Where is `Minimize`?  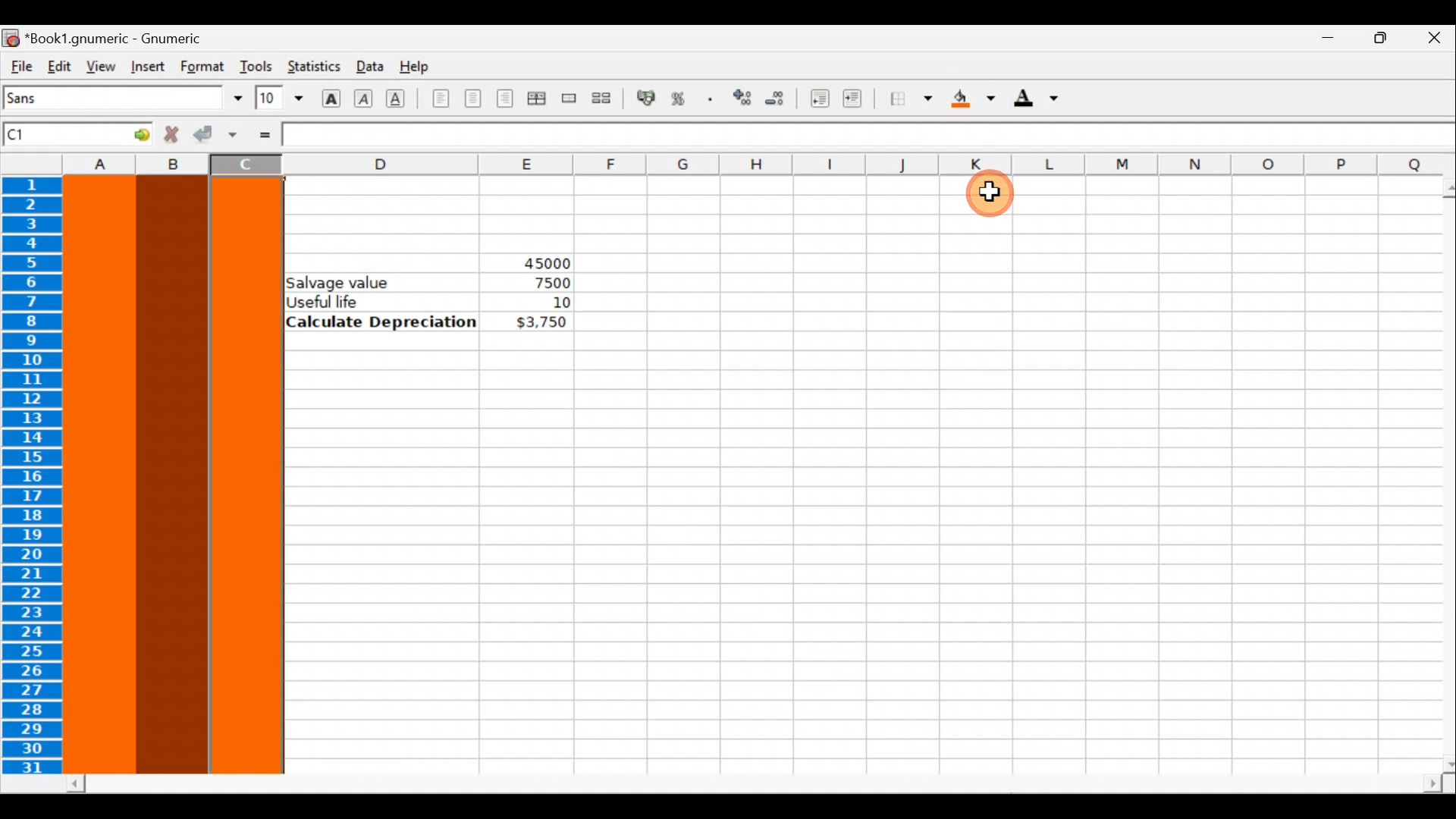
Minimize is located at coordinates (1320, 42).